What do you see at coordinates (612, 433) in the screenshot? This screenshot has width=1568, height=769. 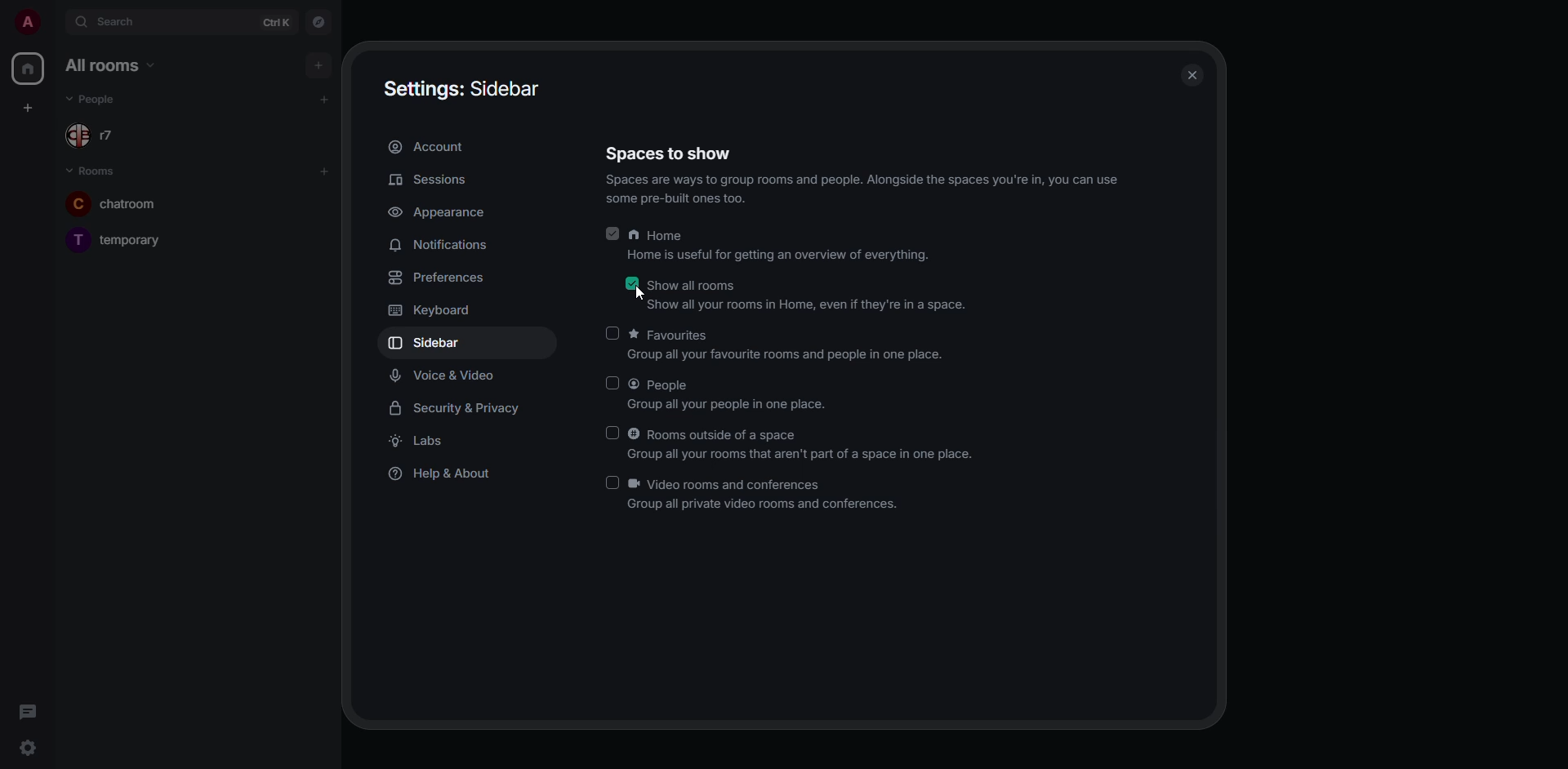 I see `click to enable` at bounding box center [612, 433].